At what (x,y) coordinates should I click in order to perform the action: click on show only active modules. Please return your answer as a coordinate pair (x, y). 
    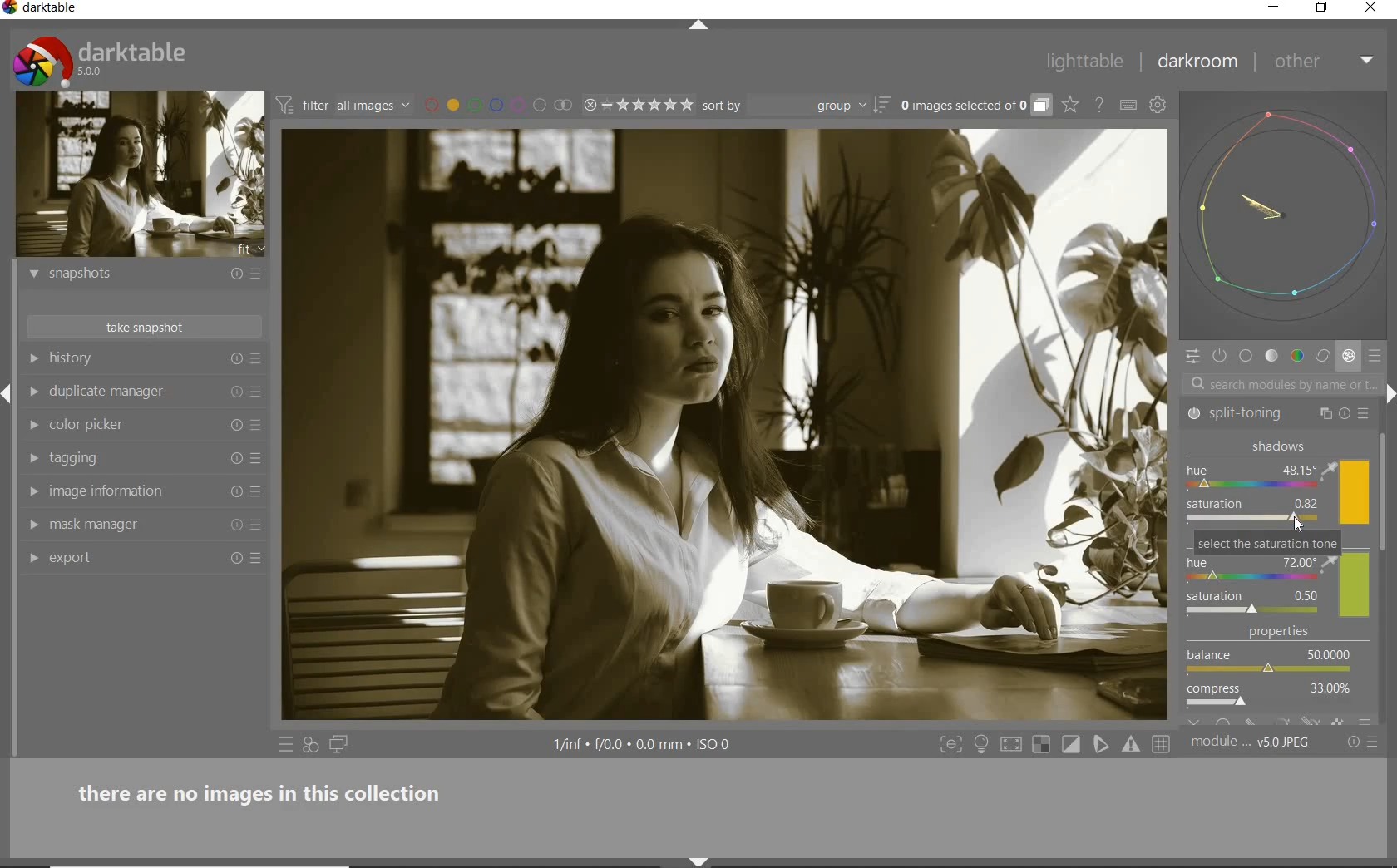
    Looking at the image, I should click on (1221, 357).